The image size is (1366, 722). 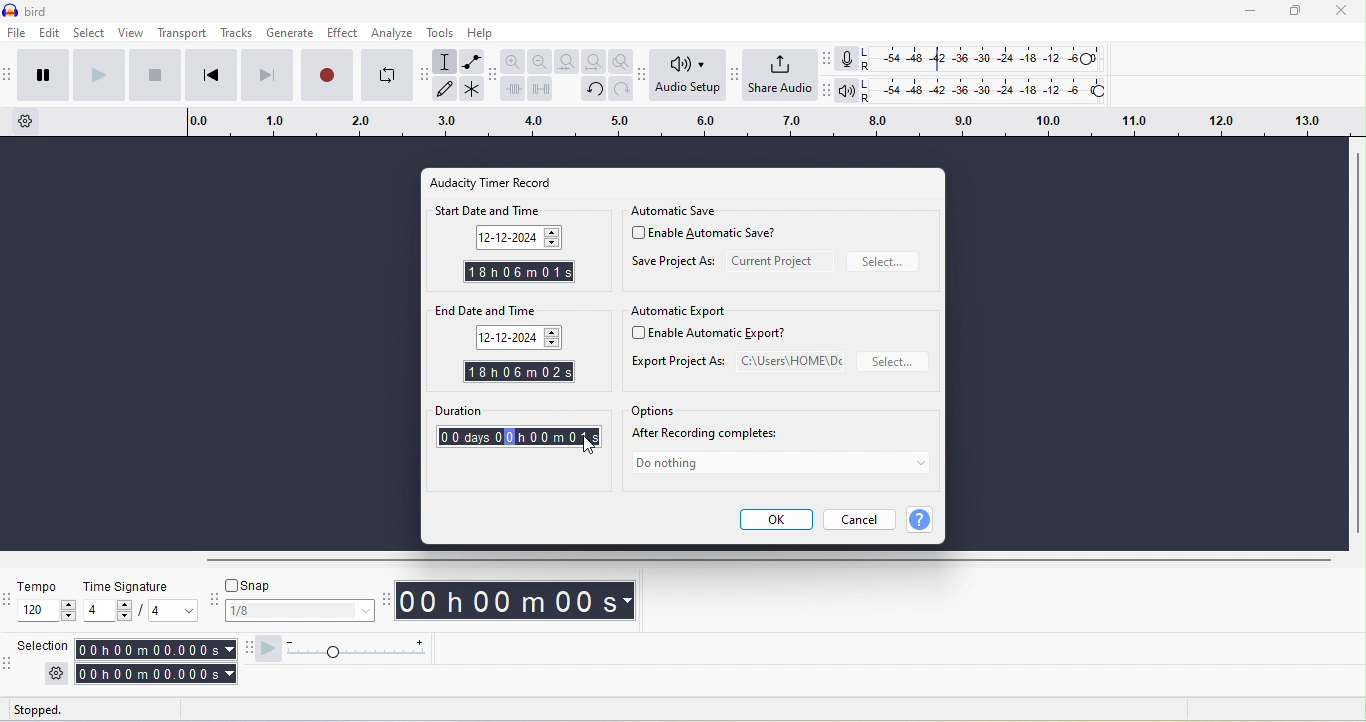 What do you see at coordinates (518, 411) in the screenshot?
I see `duration` at bounding box center [518, 411].